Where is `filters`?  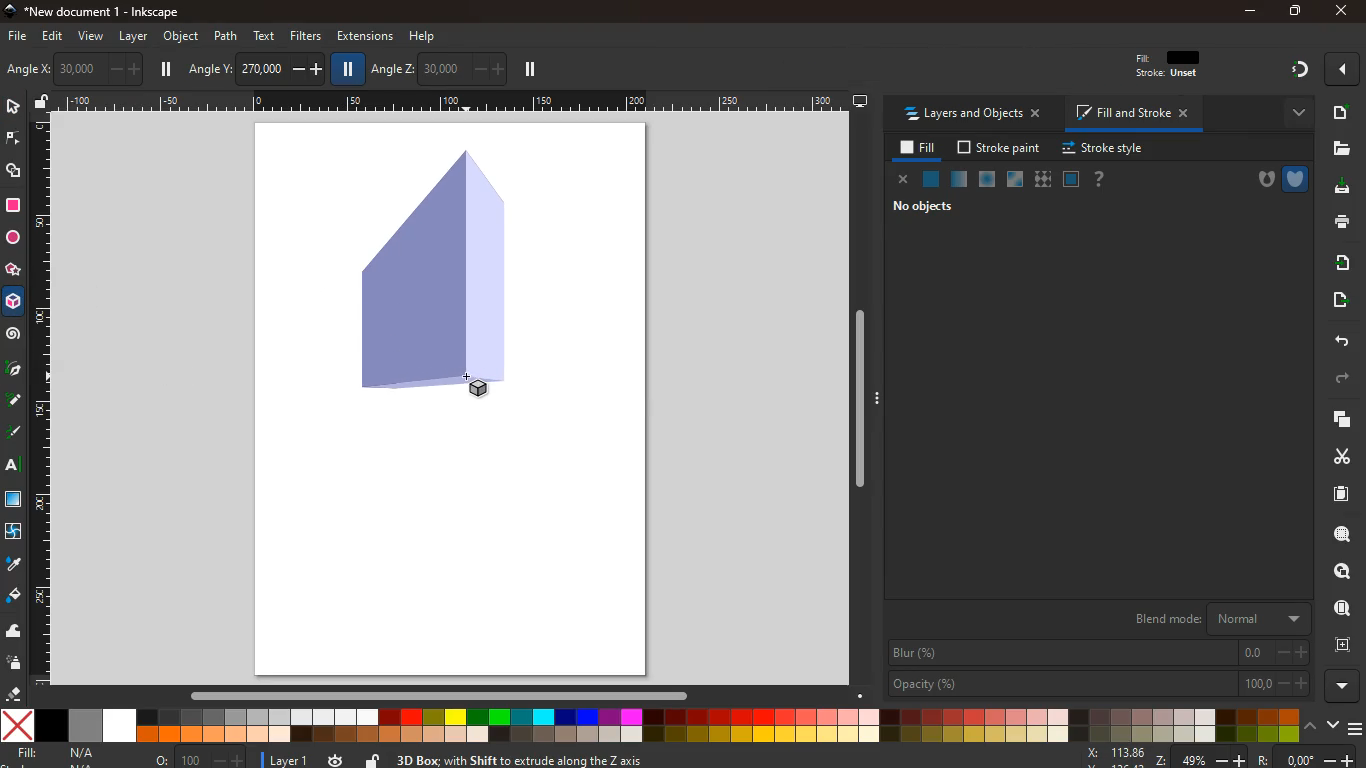 filters is located at coordinates (302, 37).